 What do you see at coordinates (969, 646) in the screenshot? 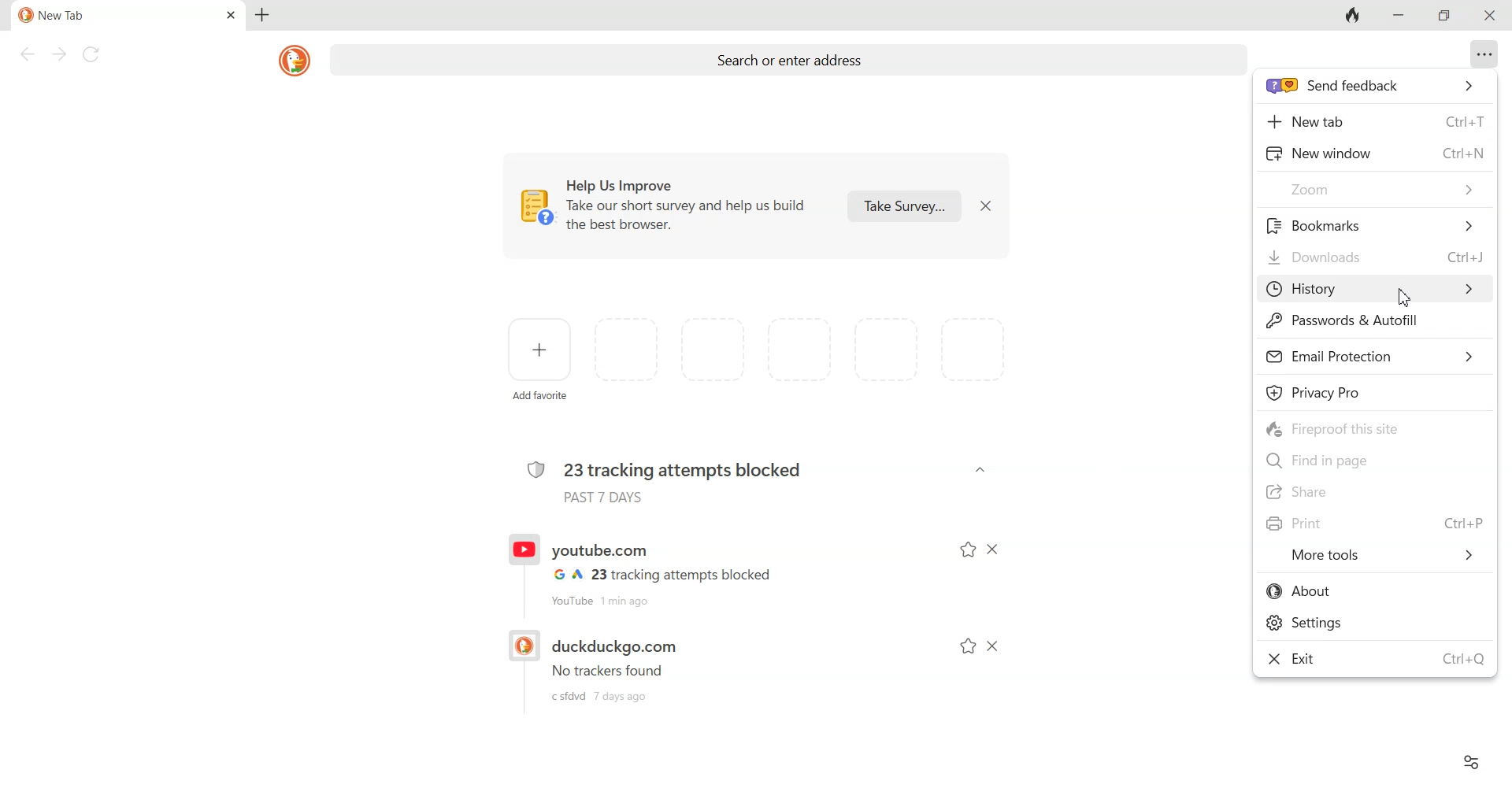
I see `Add to favorite` at bounding box center [969, 646].